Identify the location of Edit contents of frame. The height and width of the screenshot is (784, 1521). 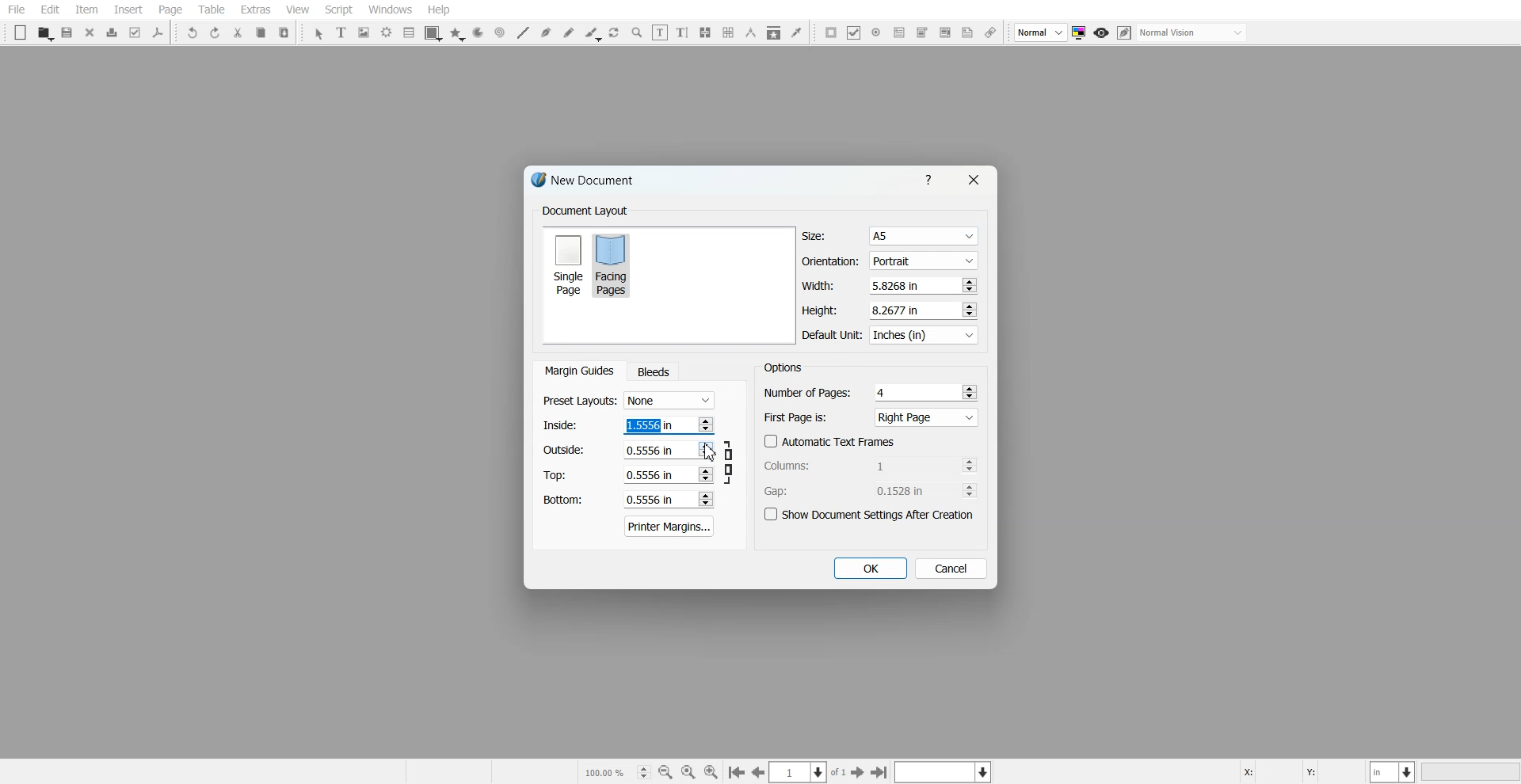
(660, 32).